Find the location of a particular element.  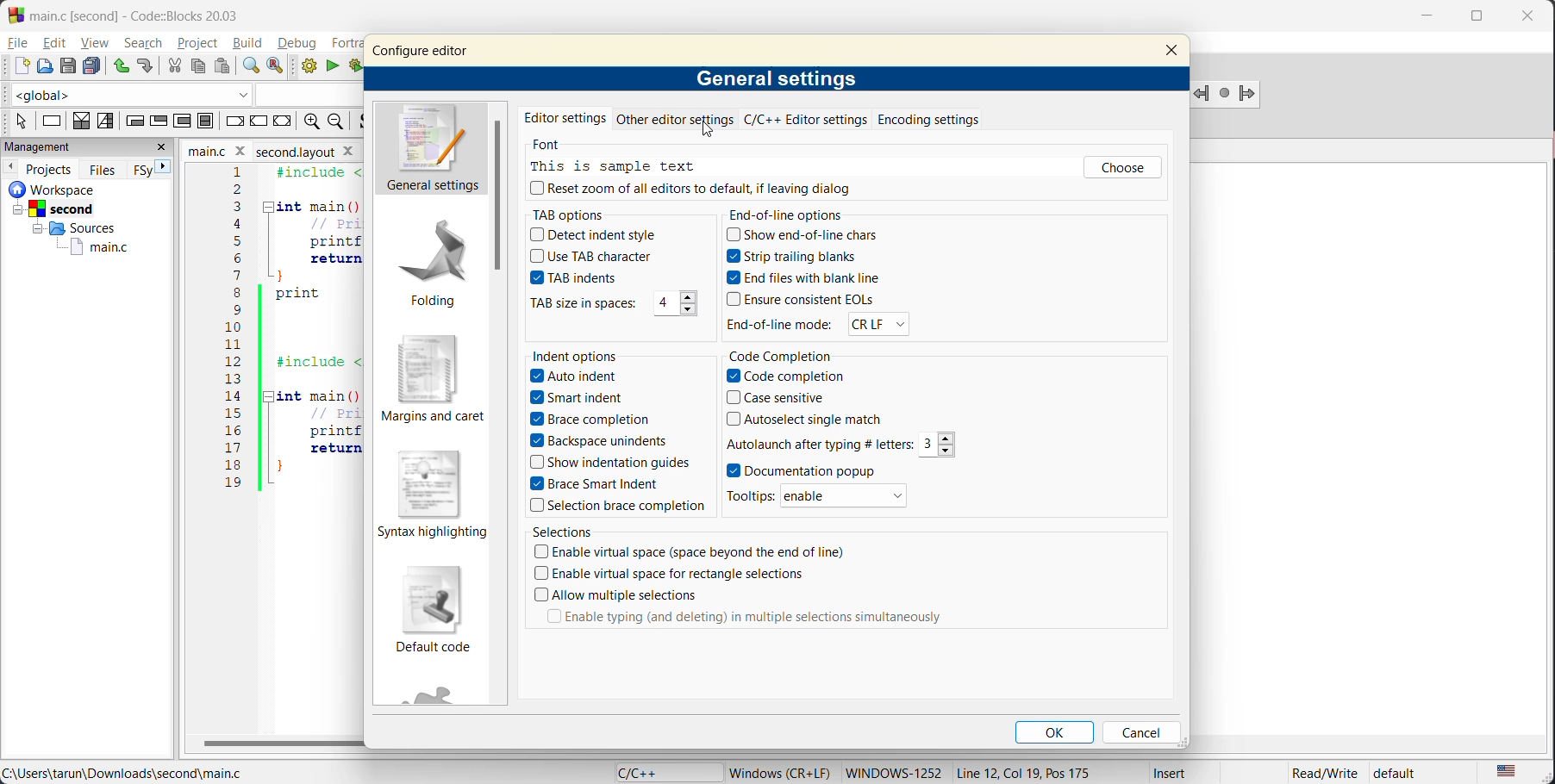

editor settings is located at coordinates (565, 120).